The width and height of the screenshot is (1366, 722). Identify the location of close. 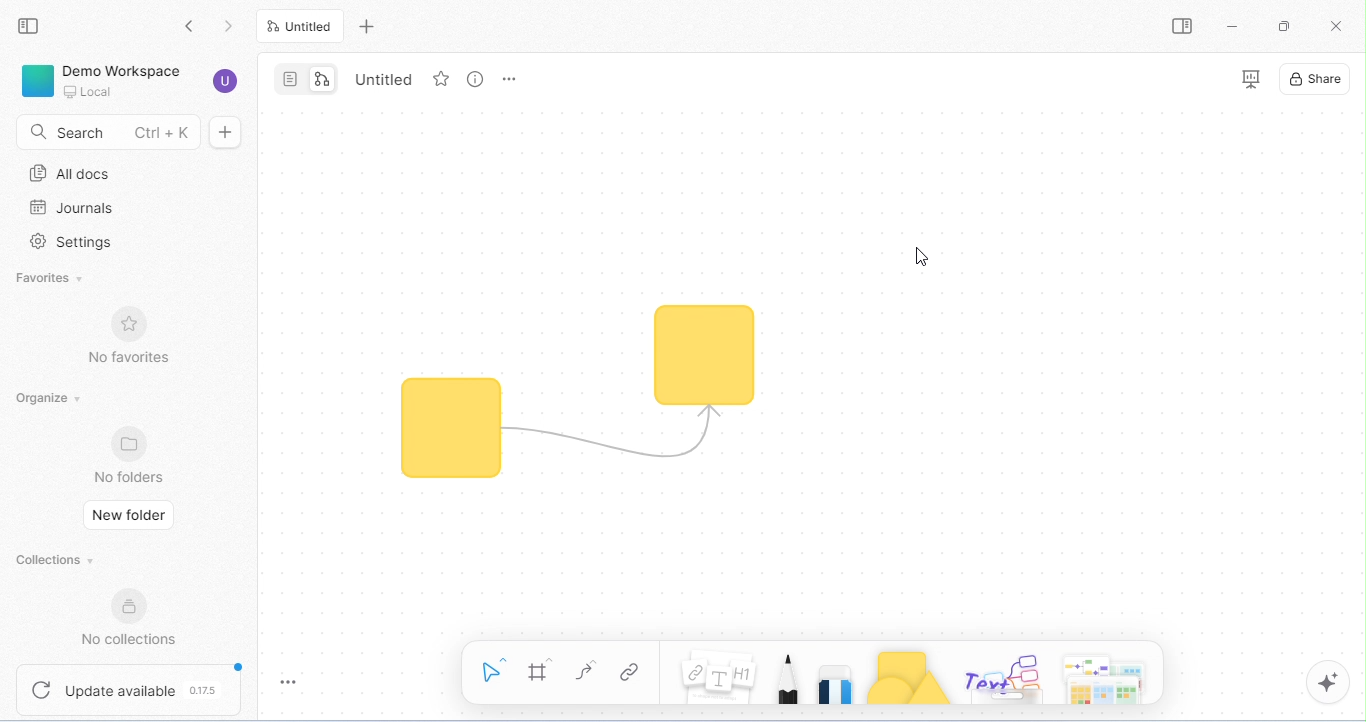
(1339, 26).